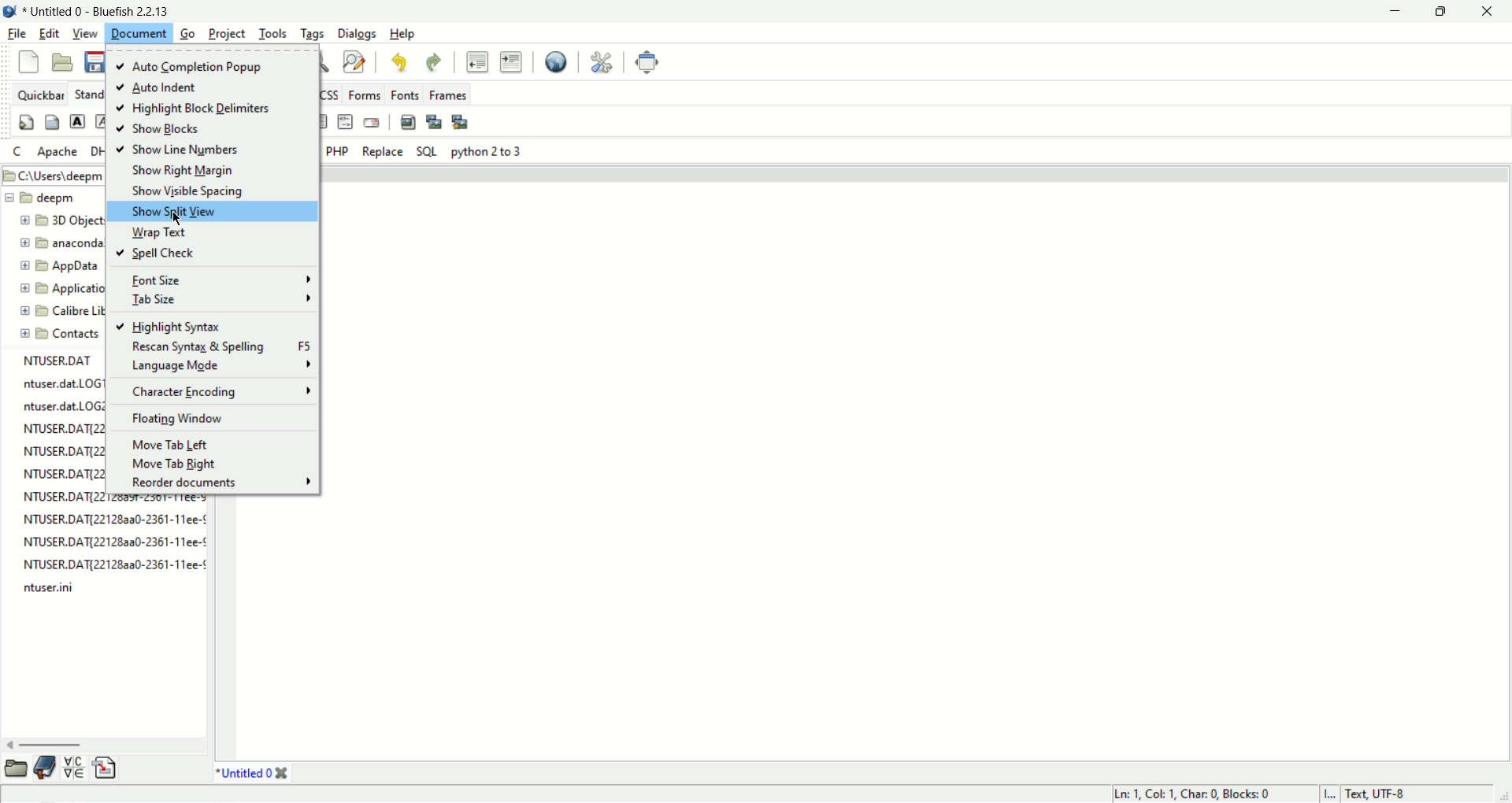  Describe the element at coordinates (431, 151) in the screenshot. I see `SQL` at that location.